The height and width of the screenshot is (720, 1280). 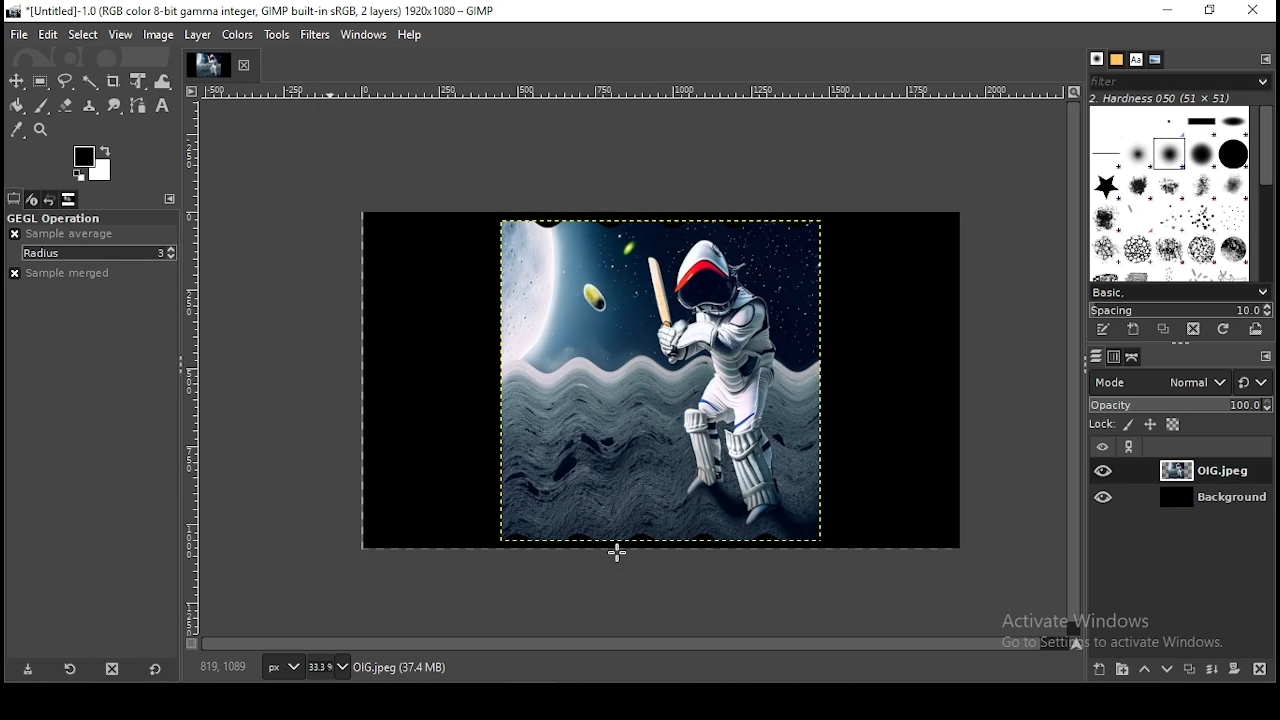 What do you see at coordinates (1175, 98) in the screenshot?
I see `hardness` at bounding box center [1175, 98].